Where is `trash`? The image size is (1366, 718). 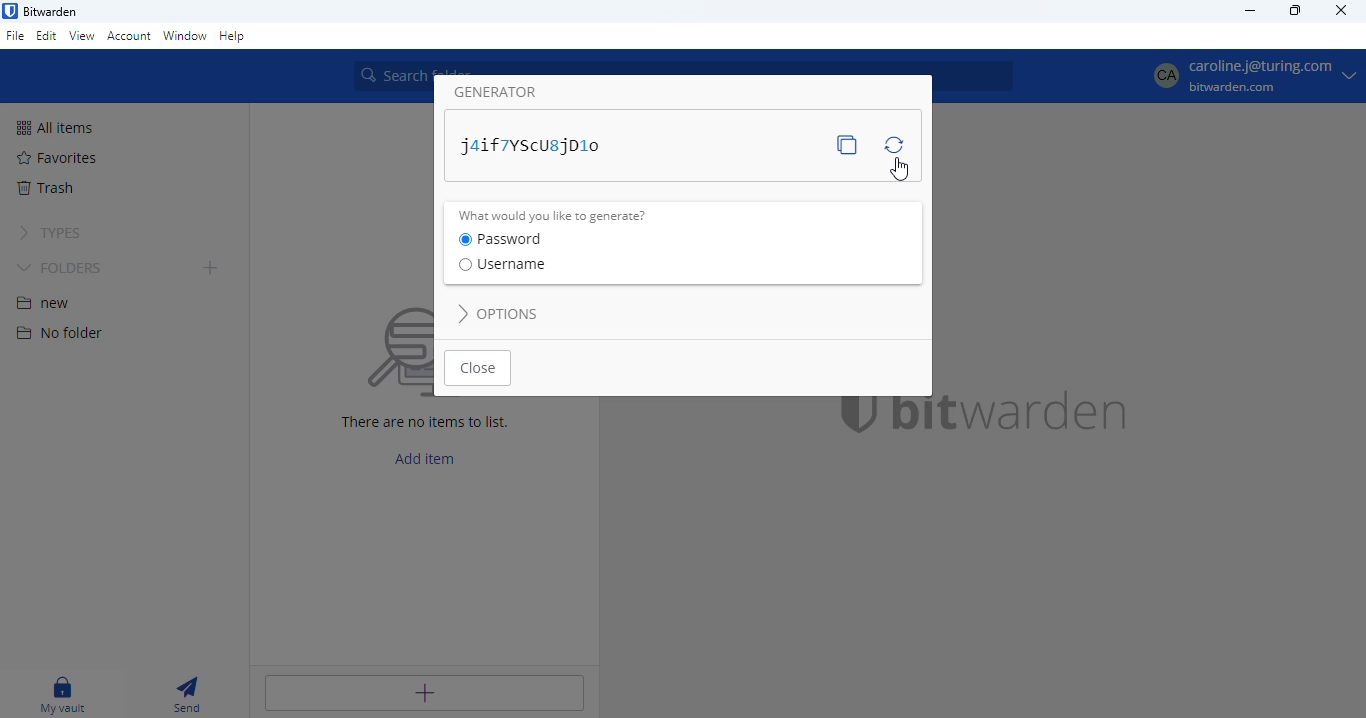 trash is located at coordinates (44, 188).